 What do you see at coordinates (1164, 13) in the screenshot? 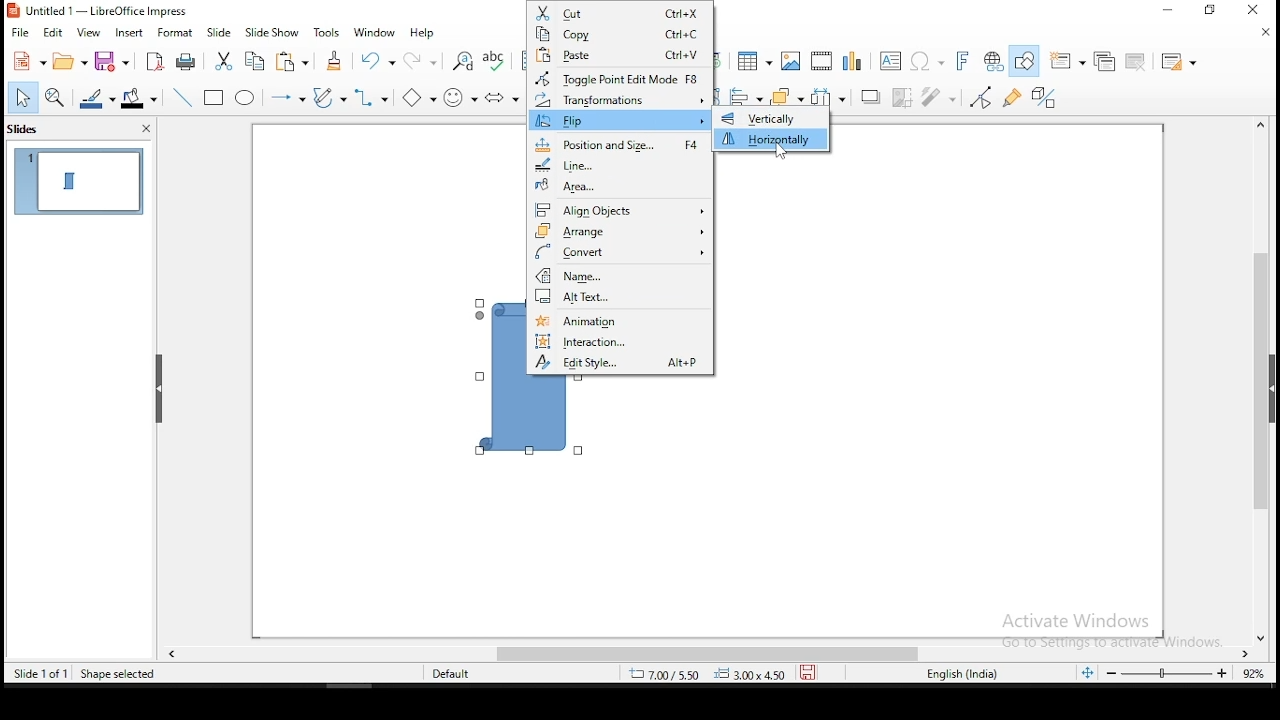
I see `minimize` at bounding box center [1164, 13].